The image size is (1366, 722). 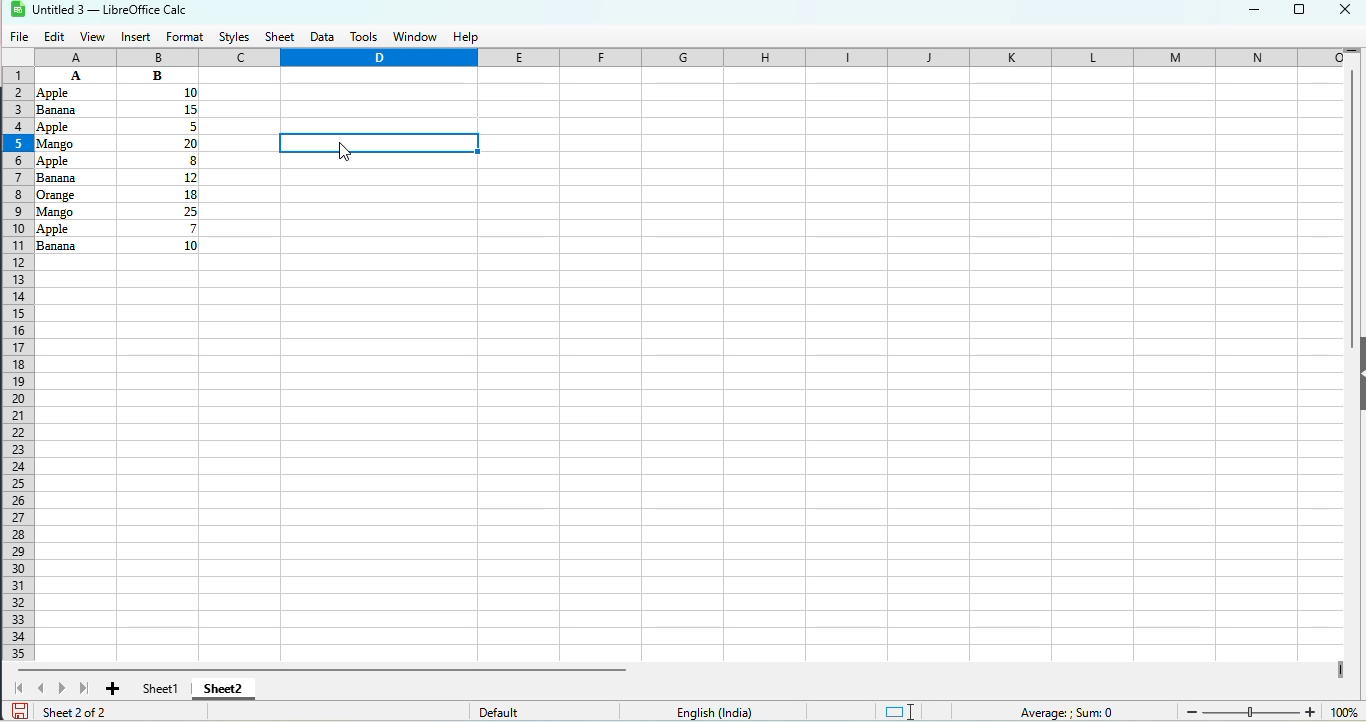 What do you see at coordinates (85, 688) in the screenshot?
I see `scroll to last sheet` at bounding box center [85, 688].